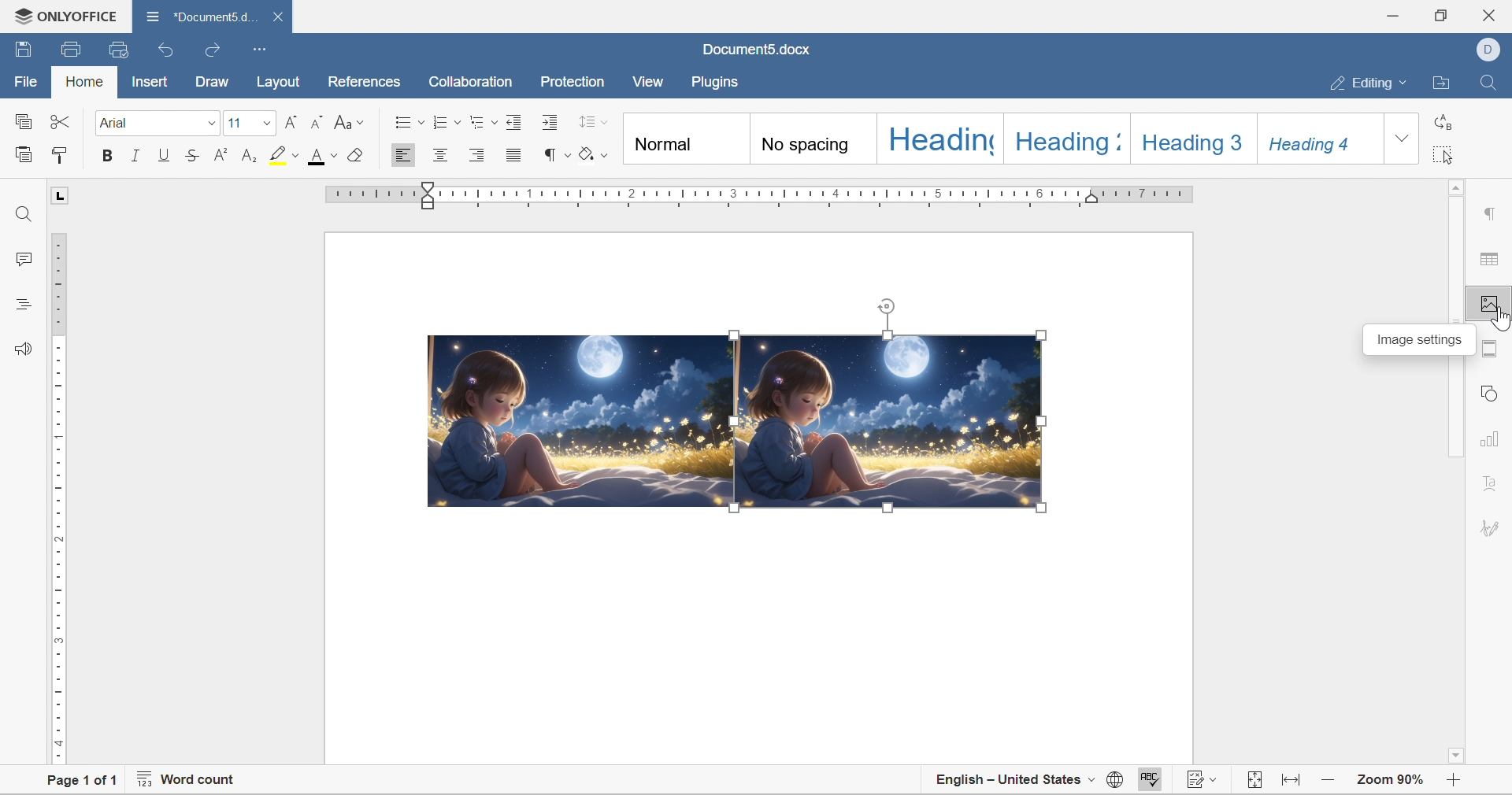 The image size is (1512, 795). What do you see at coordinates (447, 122) in the screenshot?
I see `numbering` at bounding box center [447, 122].